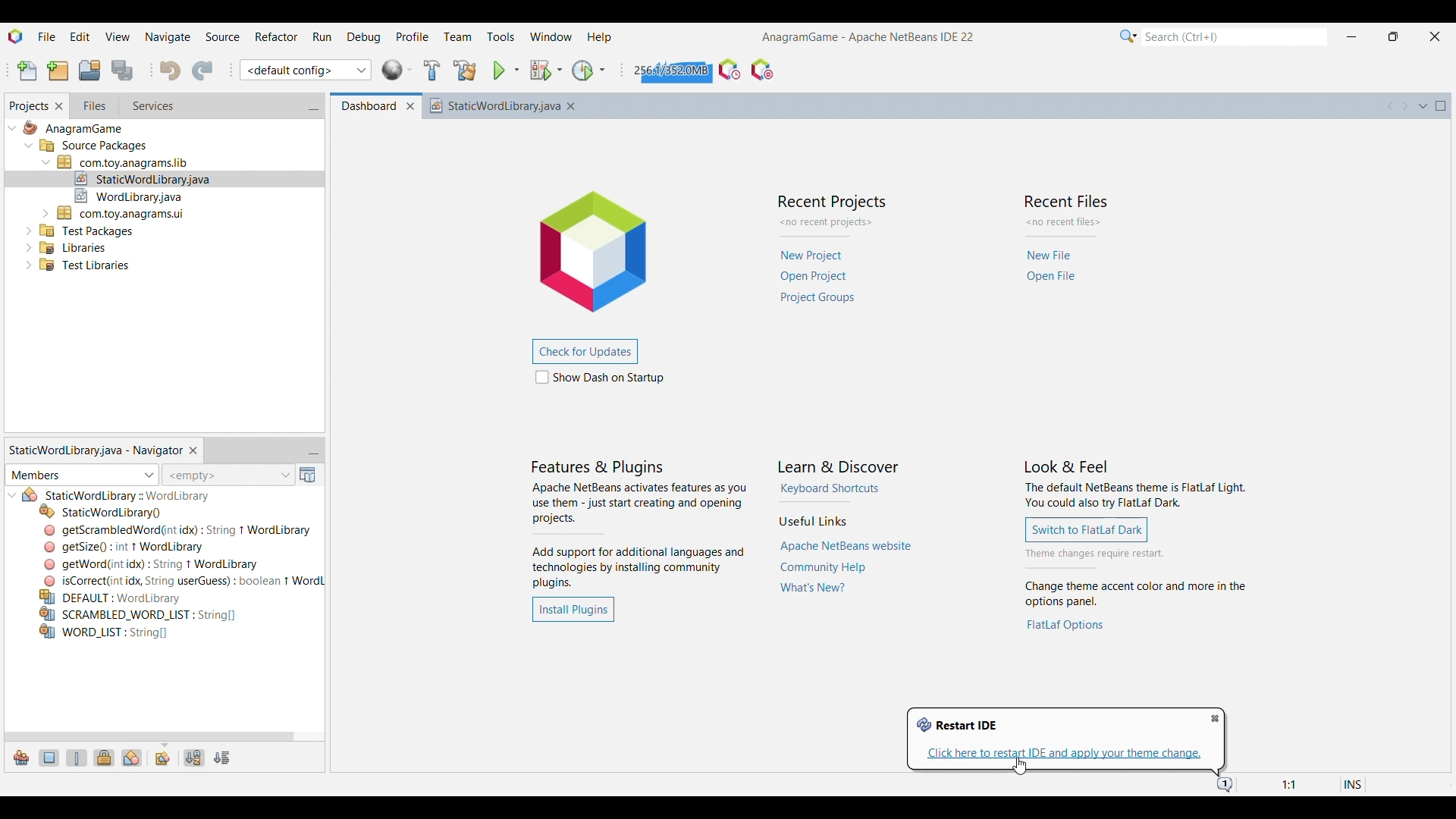  I want to click on Fully qualified names, so click(163, 759).